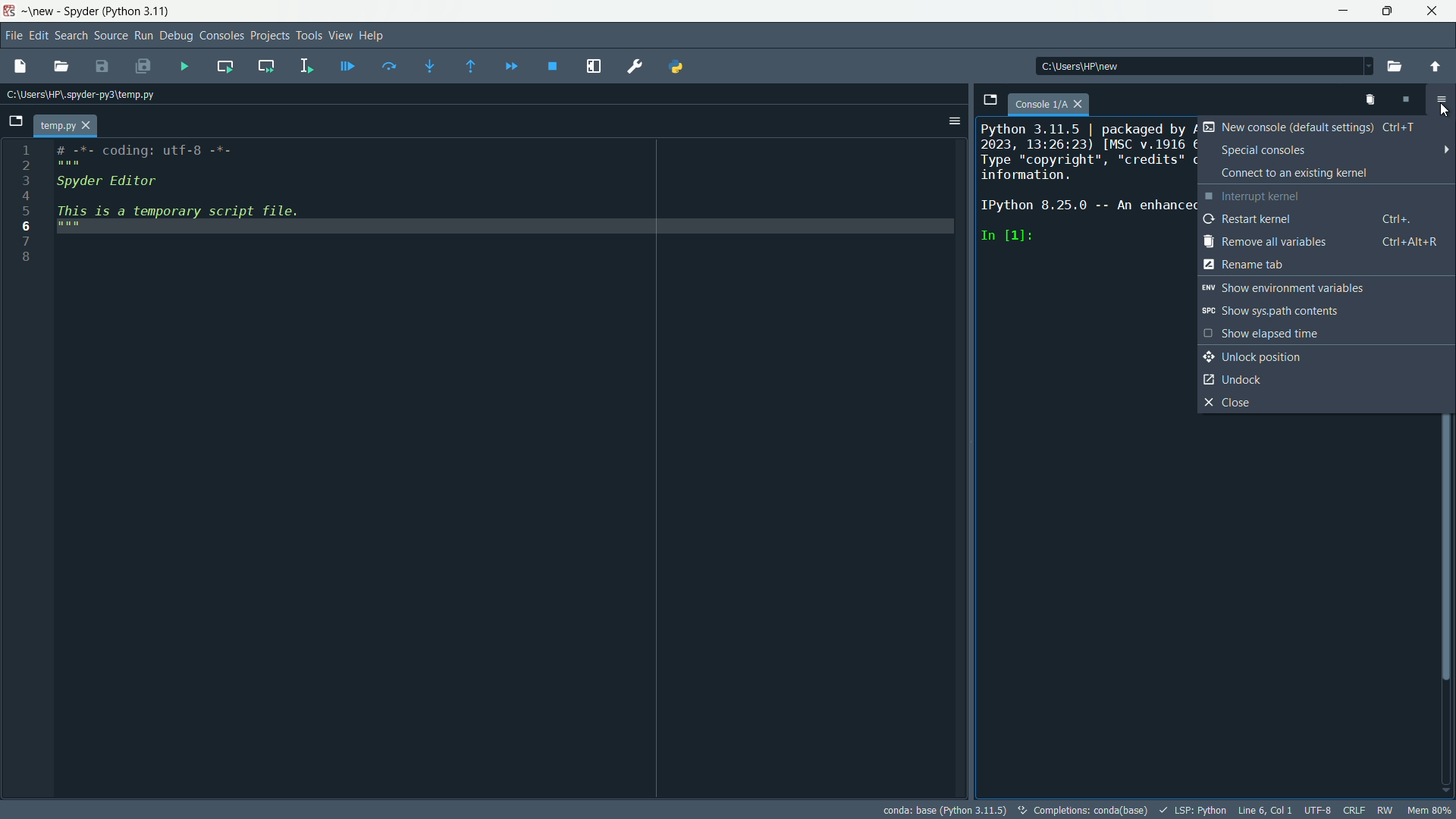 Image resolution: width=1456 pixels, height=819 pixels. I want to click on run menu, so click(143, 35).